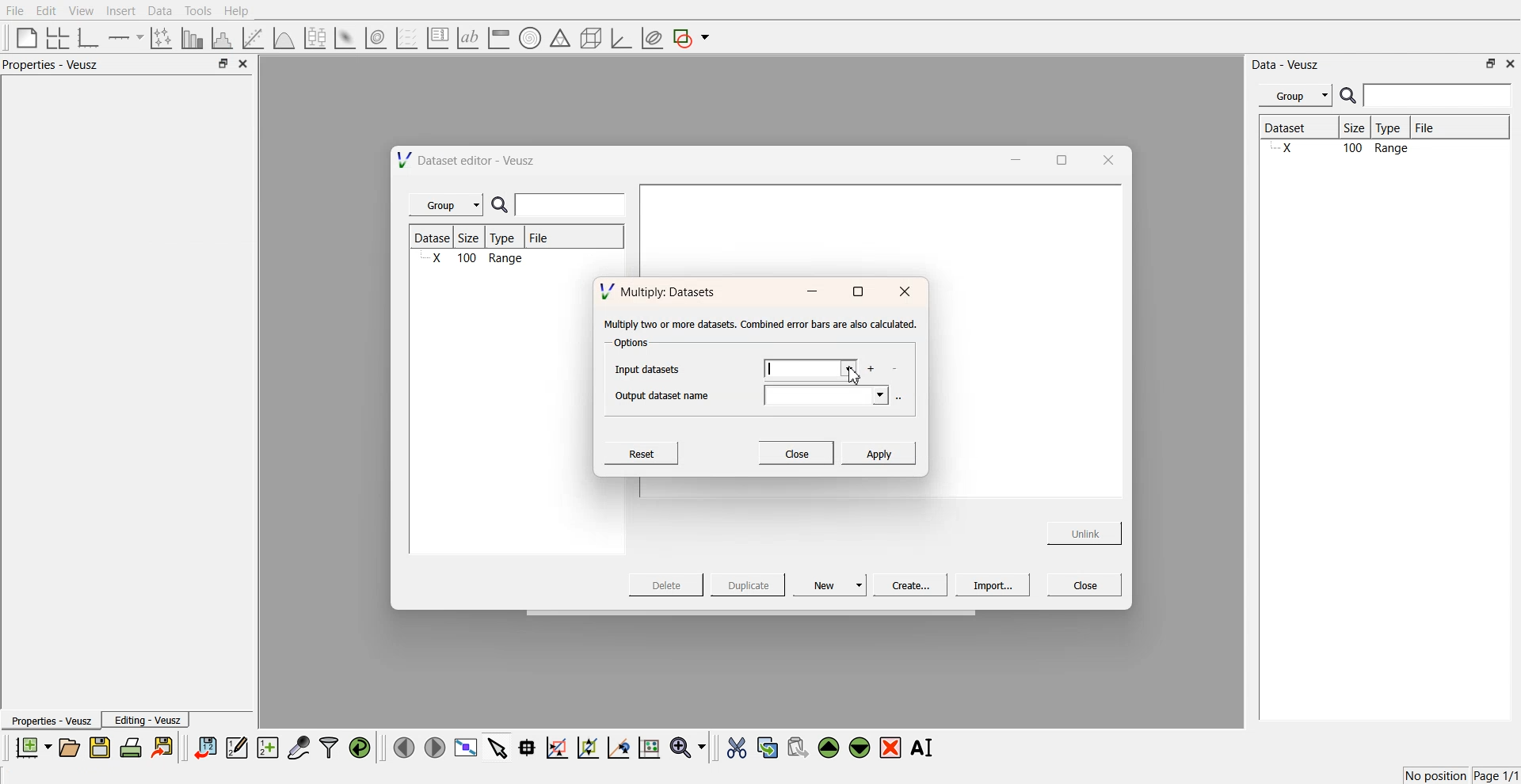  Describe the element at coordinates (1382, 150) in the screenshot. I see `X 100 Range` at that location.